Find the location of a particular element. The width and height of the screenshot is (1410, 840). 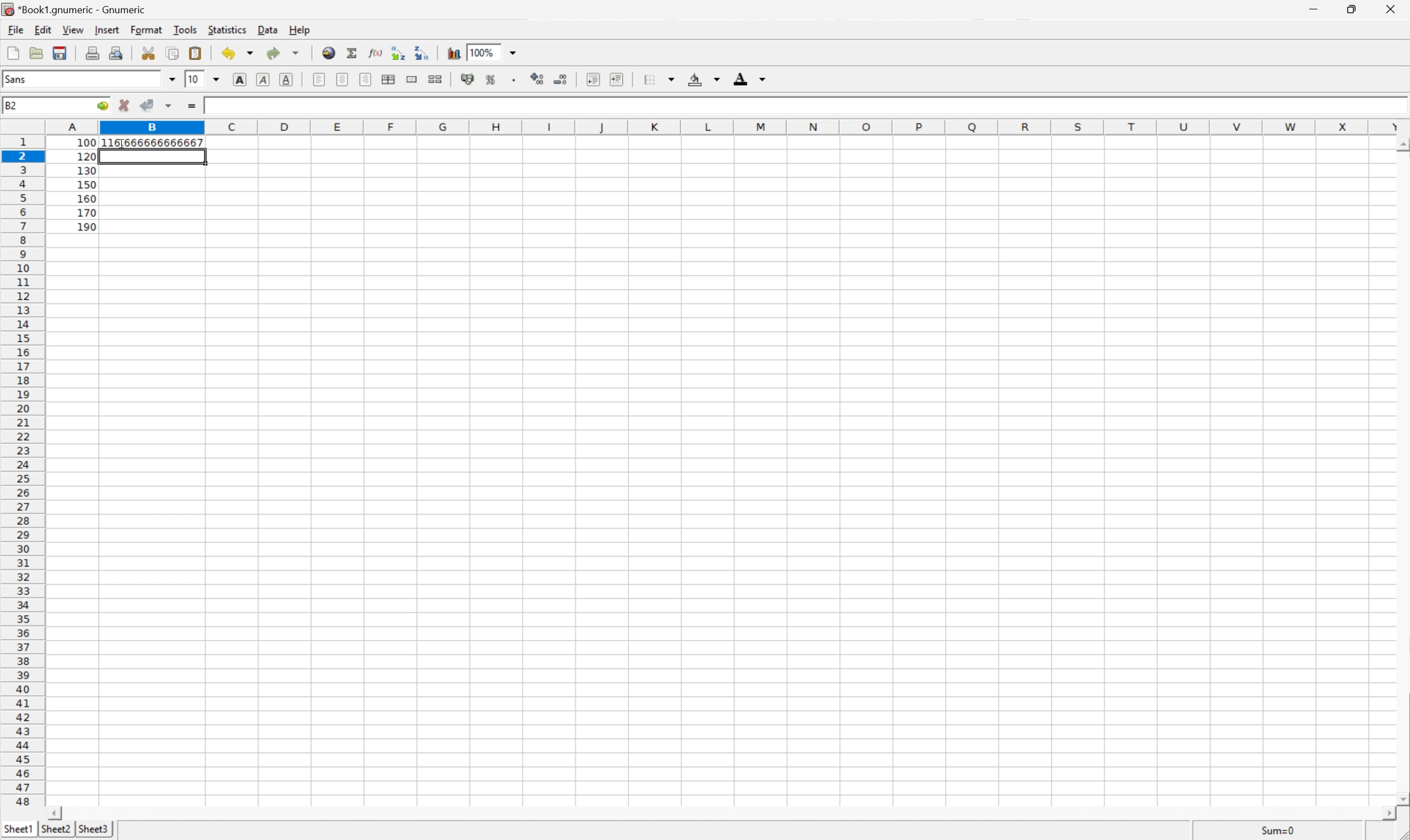

190 is located at coordinates (87, 226).